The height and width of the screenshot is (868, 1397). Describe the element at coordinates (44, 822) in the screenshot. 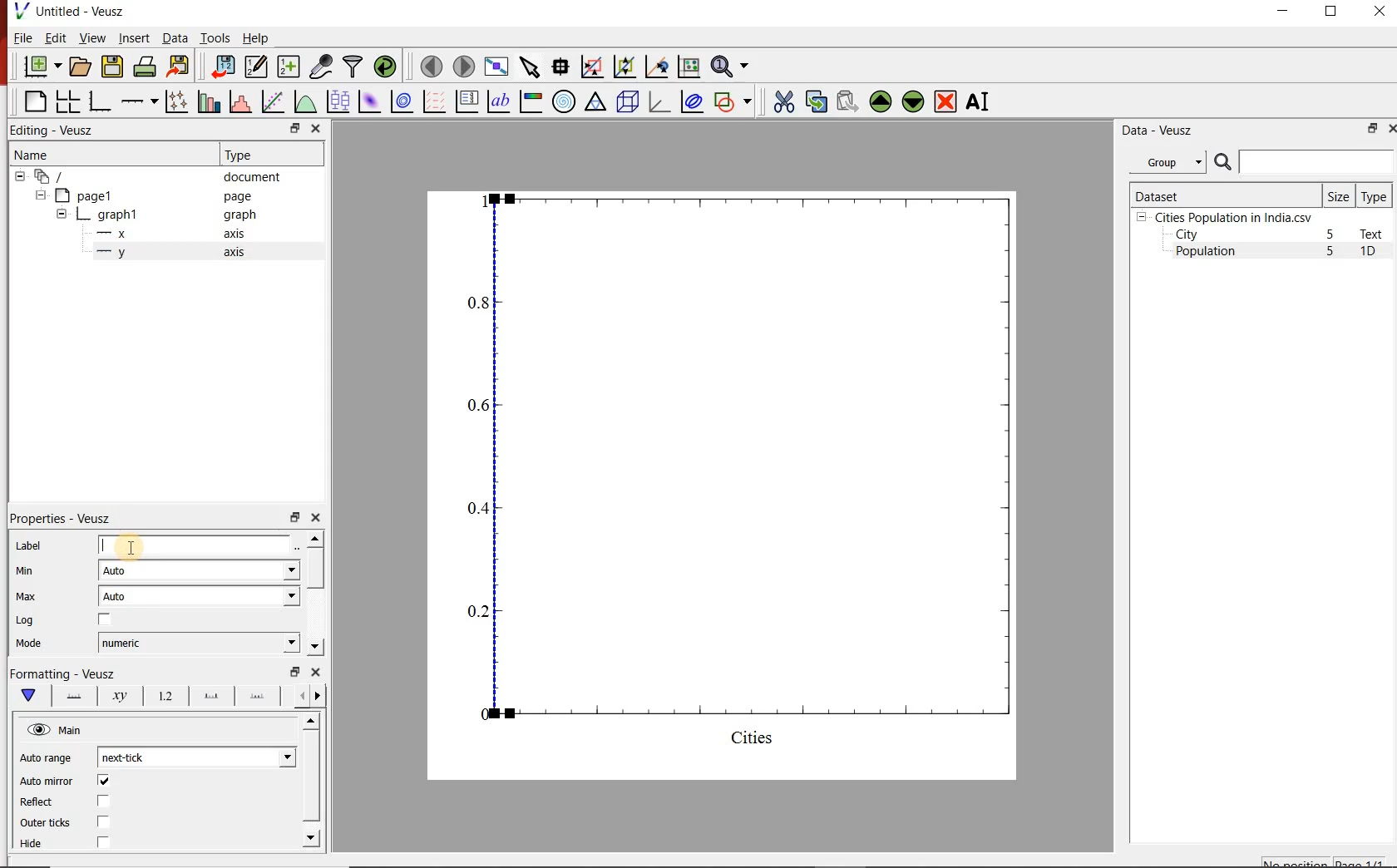

I see `Outer ticks` at that location.